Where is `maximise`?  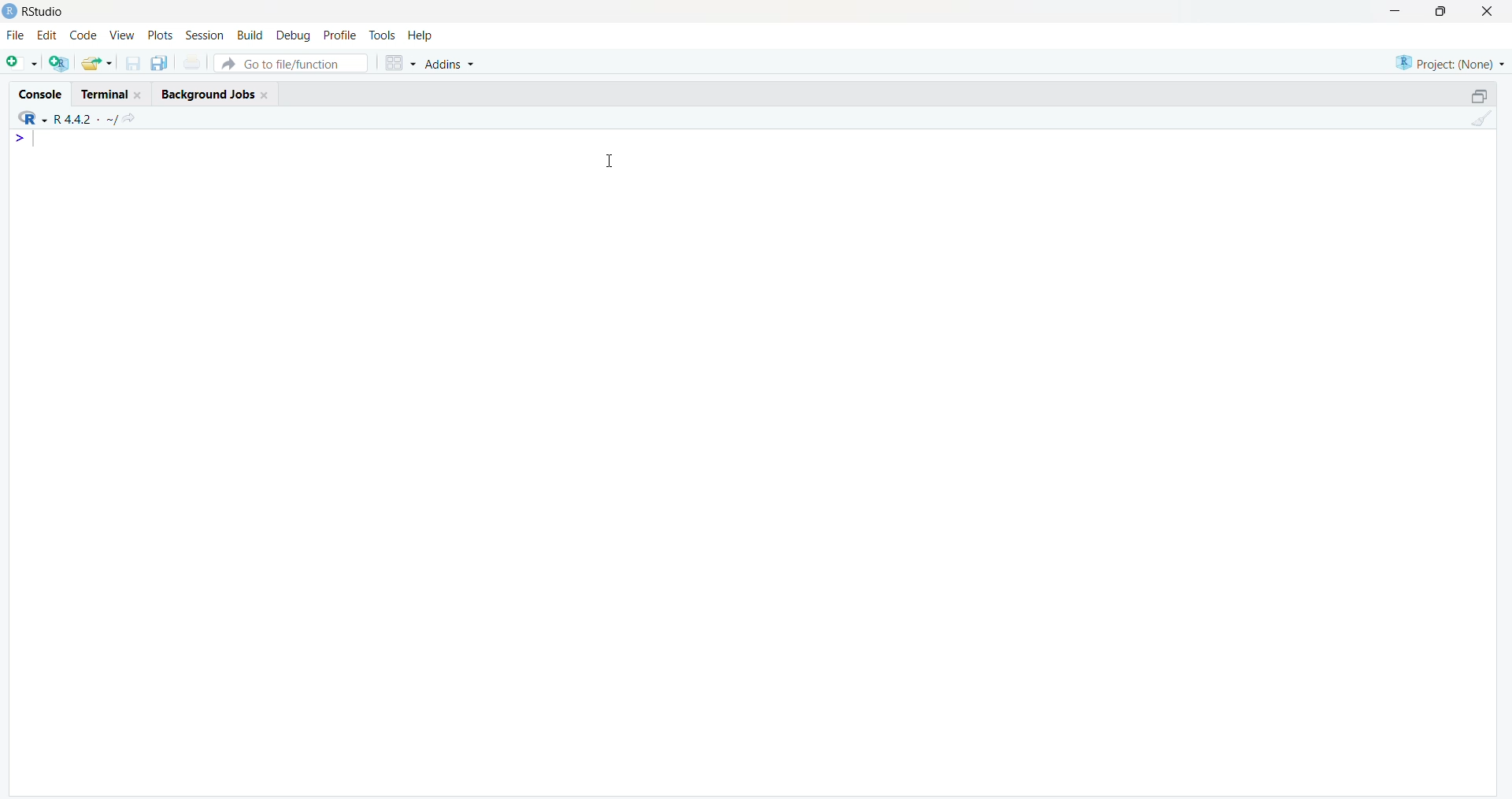 maximise is located at coordinates (1441, 11).